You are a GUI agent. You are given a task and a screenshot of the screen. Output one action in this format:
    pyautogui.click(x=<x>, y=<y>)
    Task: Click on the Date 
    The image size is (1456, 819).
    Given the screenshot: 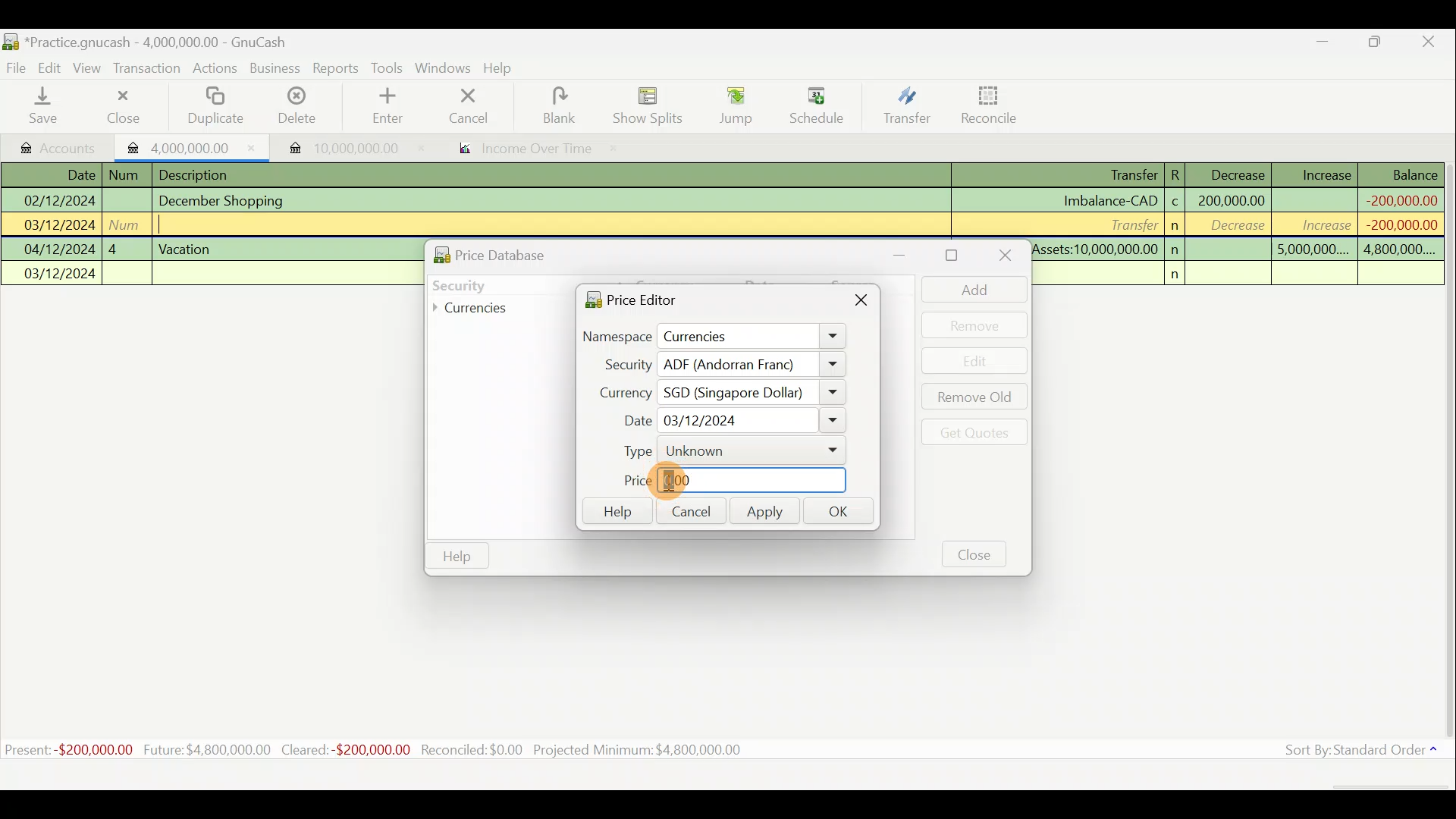 What is the action you would take?
    pyautogui.click(x=71, y=174)
    